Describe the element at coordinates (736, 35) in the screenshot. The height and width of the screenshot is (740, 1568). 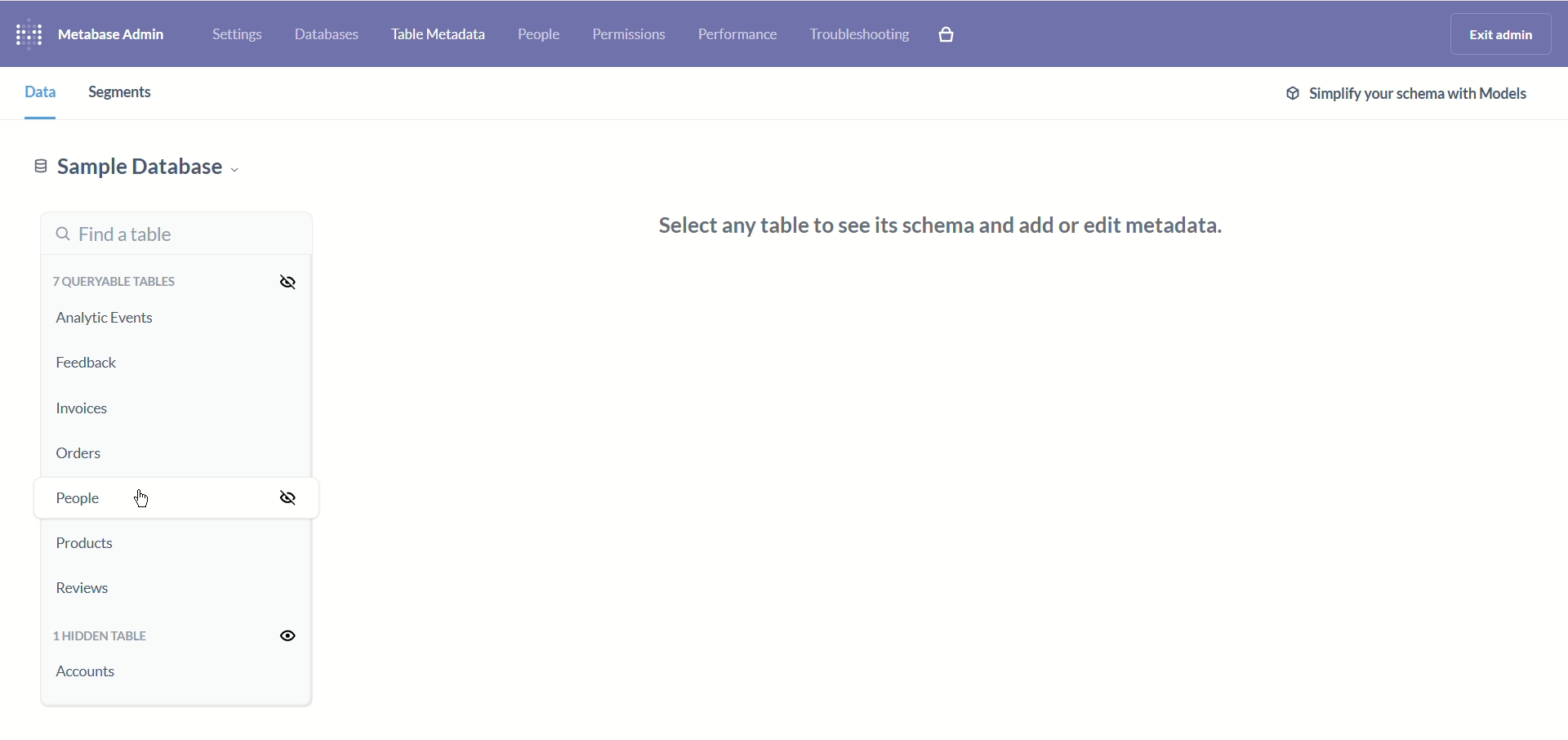
I see `Performance` at that location.